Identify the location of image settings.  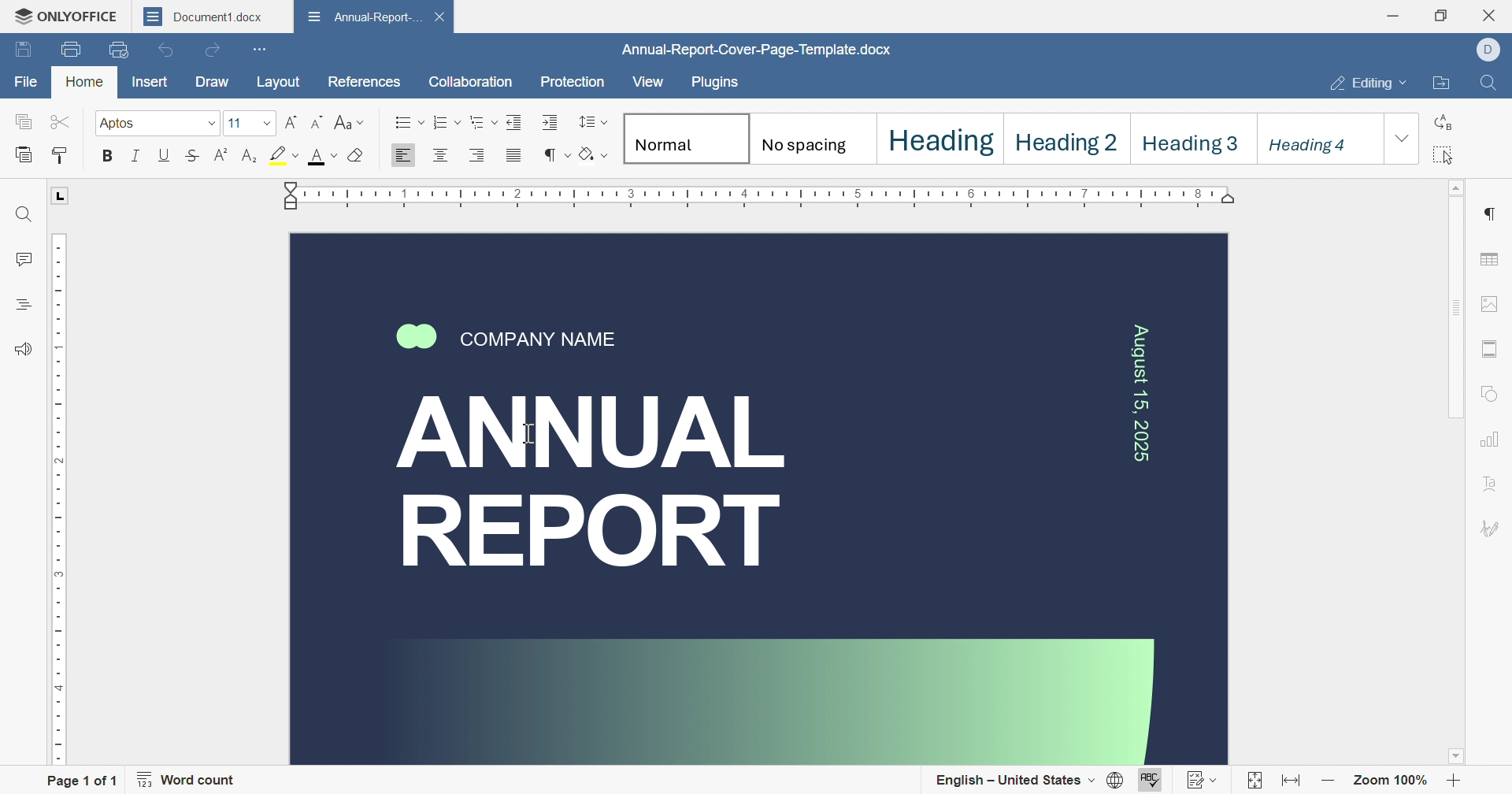
(1493, 304).